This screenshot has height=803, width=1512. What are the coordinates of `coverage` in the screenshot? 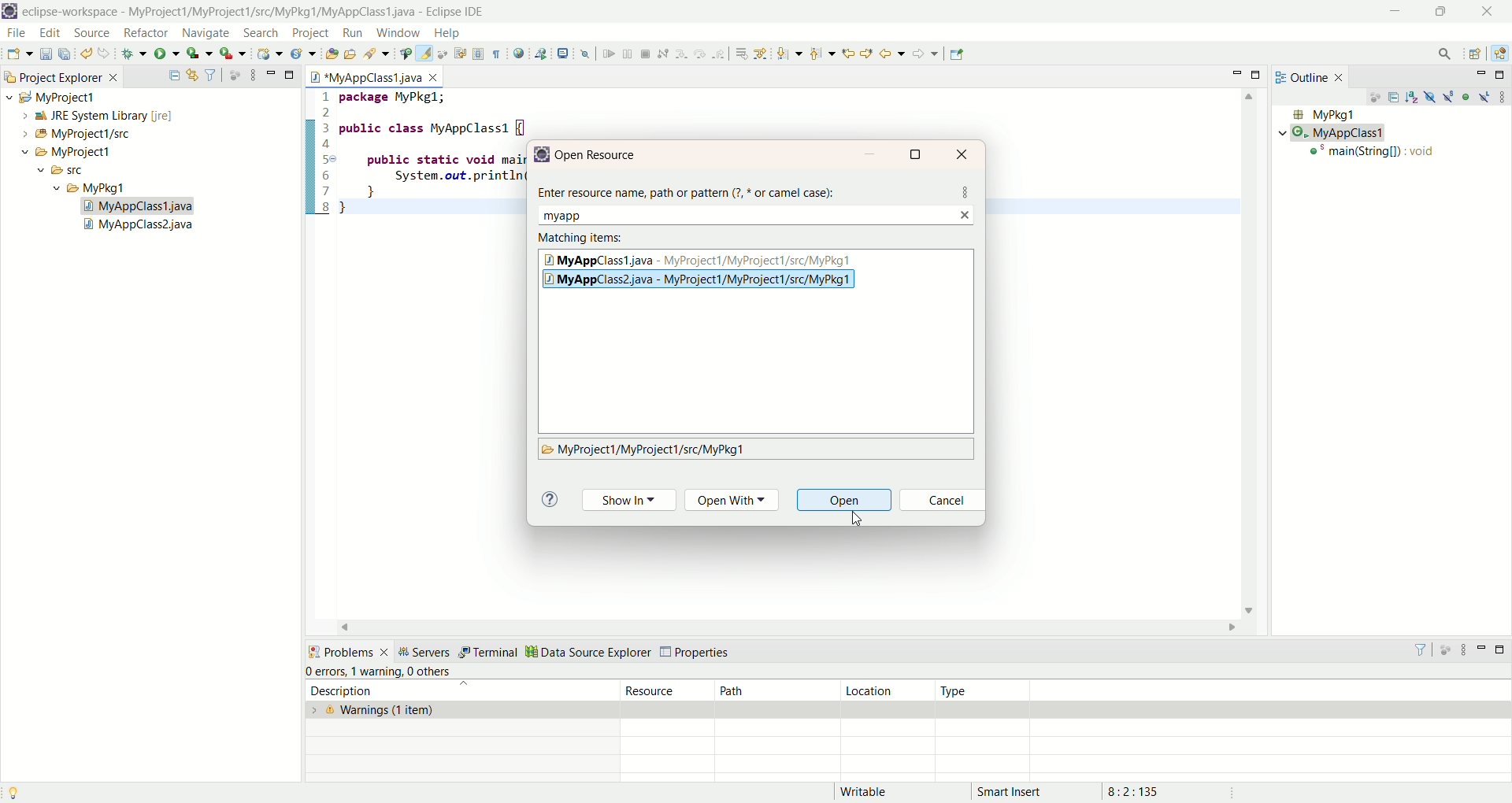 It's located at (200, 54).